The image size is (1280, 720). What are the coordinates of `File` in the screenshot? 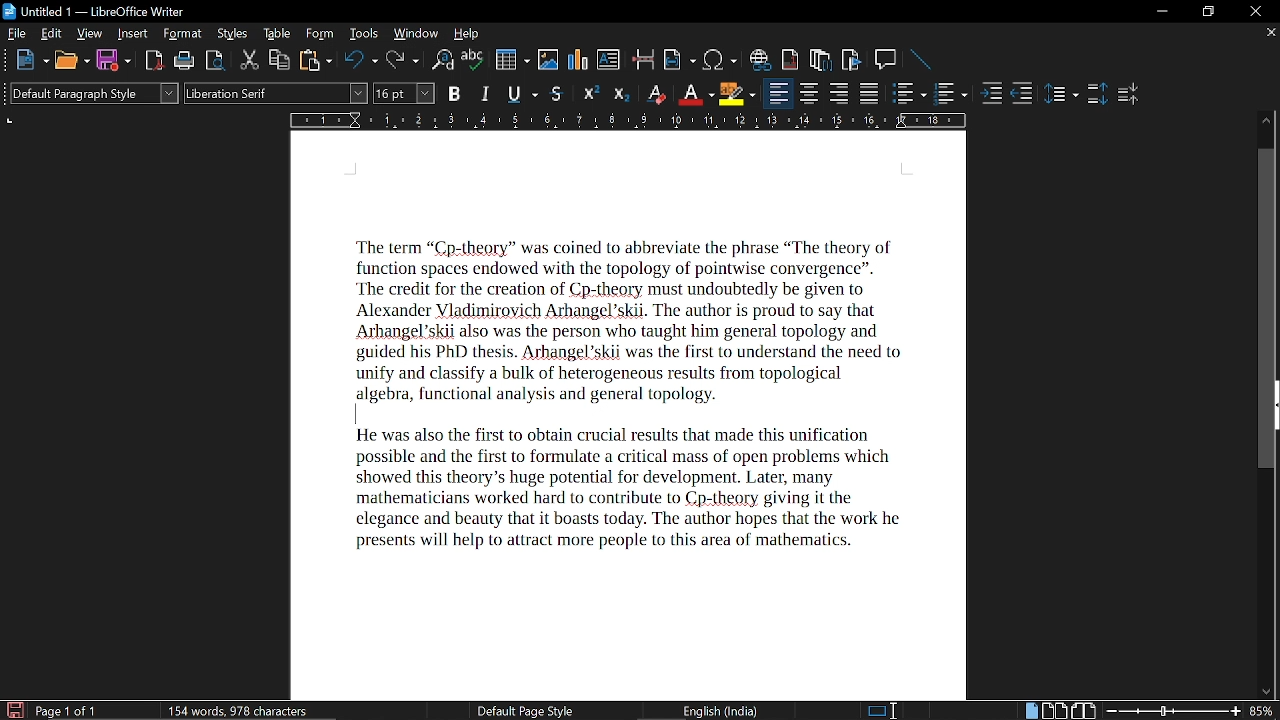 It's located at (16, 33).